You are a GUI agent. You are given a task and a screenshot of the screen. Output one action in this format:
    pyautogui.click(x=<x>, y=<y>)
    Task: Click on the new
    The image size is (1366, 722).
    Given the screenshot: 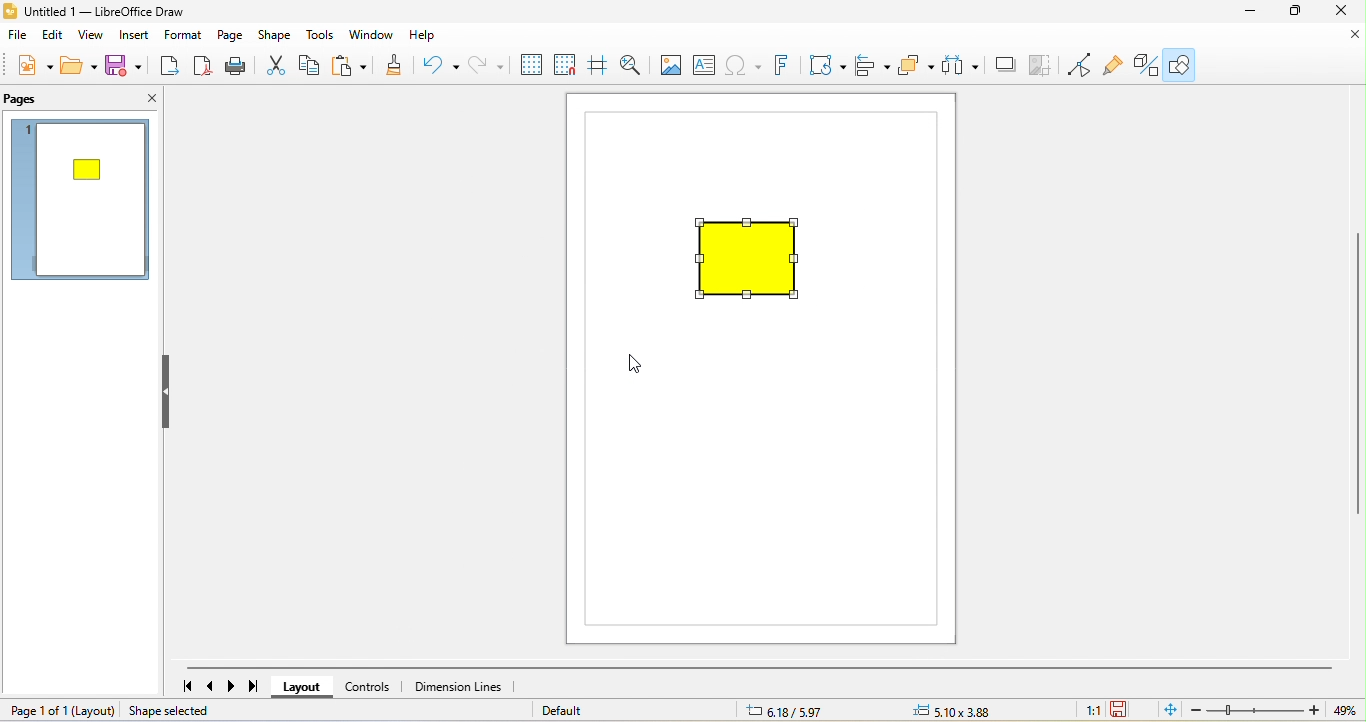 What is the action you would take?
    pyautogui.click(x=28, y=67)
    